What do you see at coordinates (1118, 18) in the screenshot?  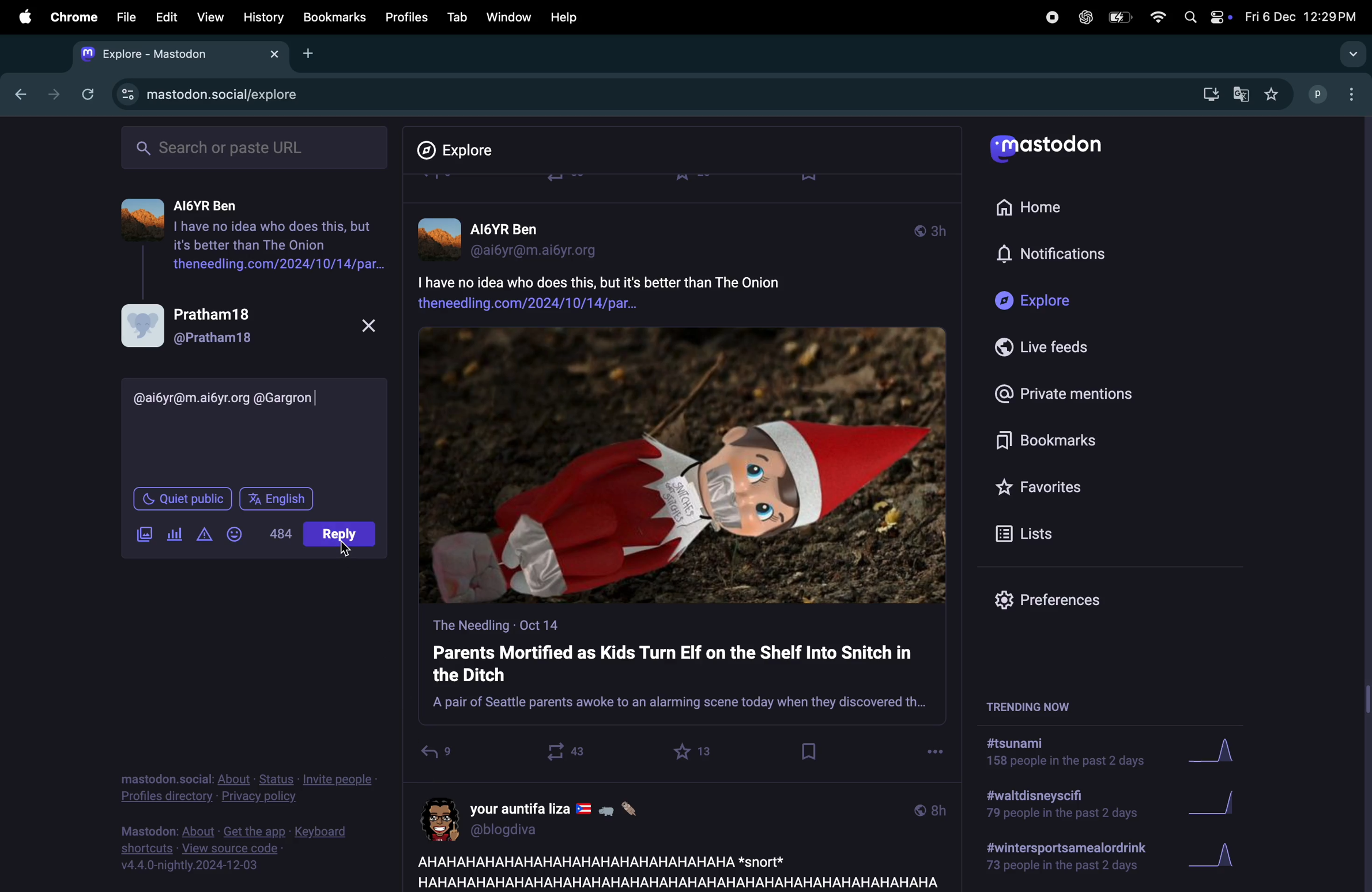 I see `battery` at bounding box center [1118, 18].